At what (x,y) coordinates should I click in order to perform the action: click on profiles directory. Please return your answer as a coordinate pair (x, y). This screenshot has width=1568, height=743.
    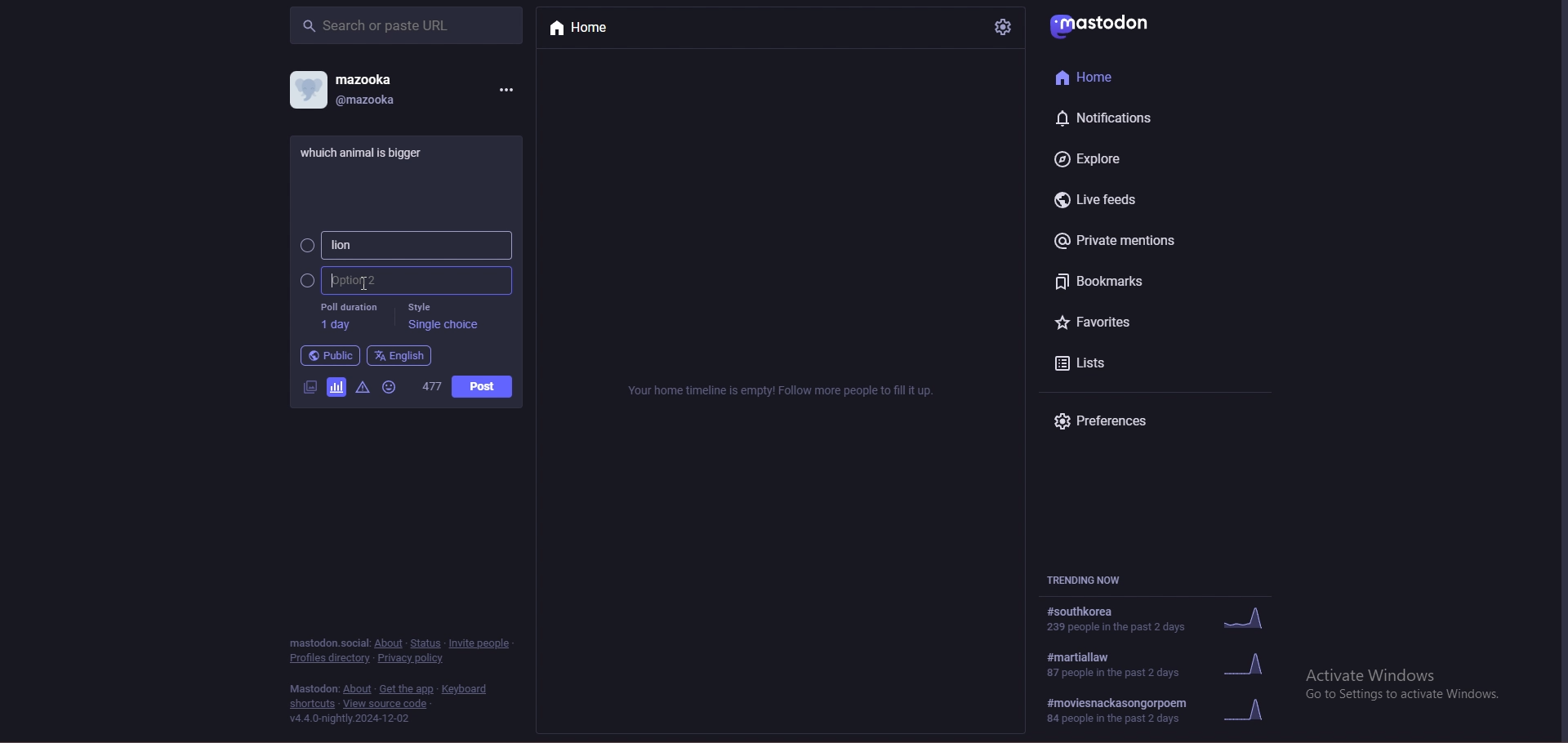
    Looking at the image, I should click on (329, 659).